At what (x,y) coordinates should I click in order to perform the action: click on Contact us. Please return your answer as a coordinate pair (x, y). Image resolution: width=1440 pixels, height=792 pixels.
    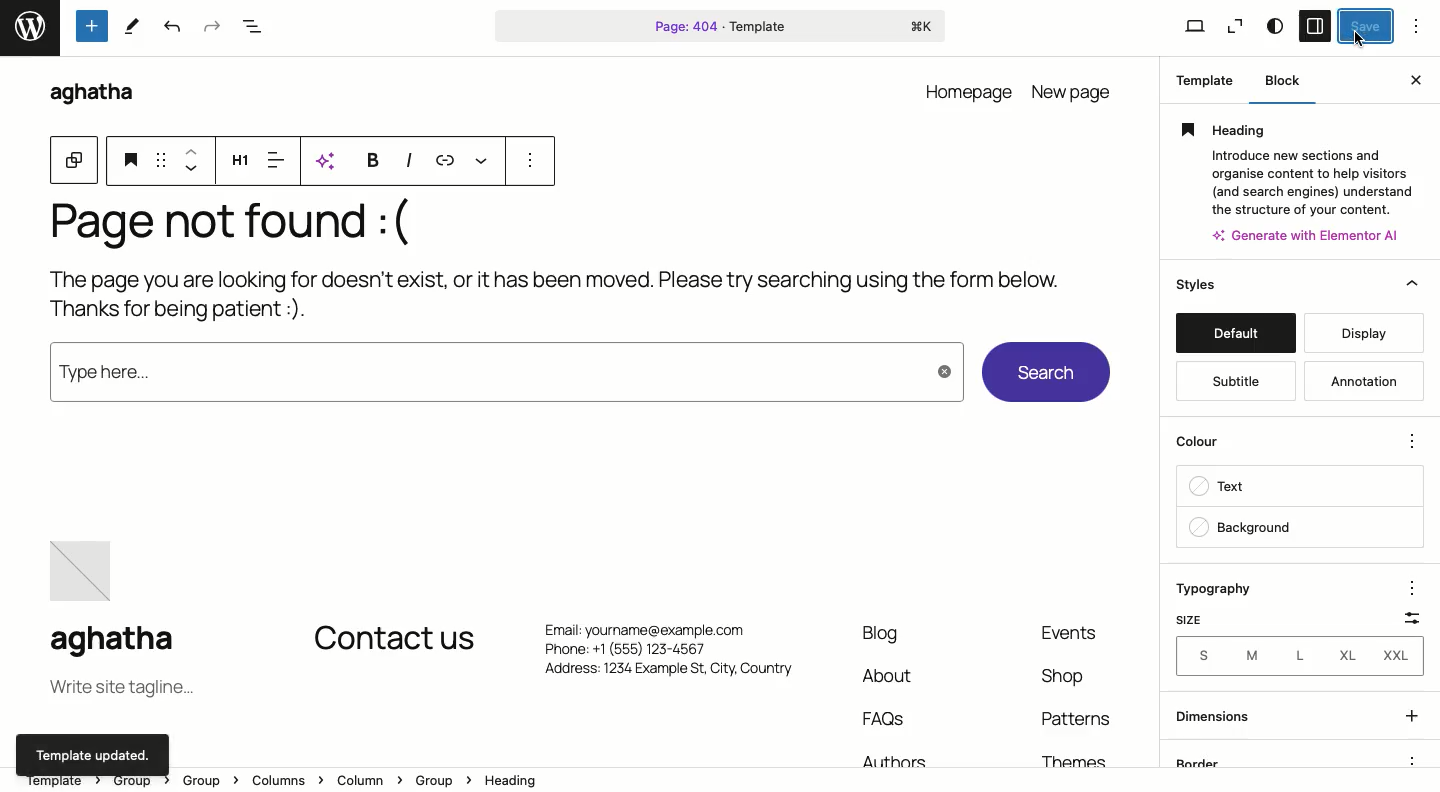
    Looking at the image, I should click on (394, 640).